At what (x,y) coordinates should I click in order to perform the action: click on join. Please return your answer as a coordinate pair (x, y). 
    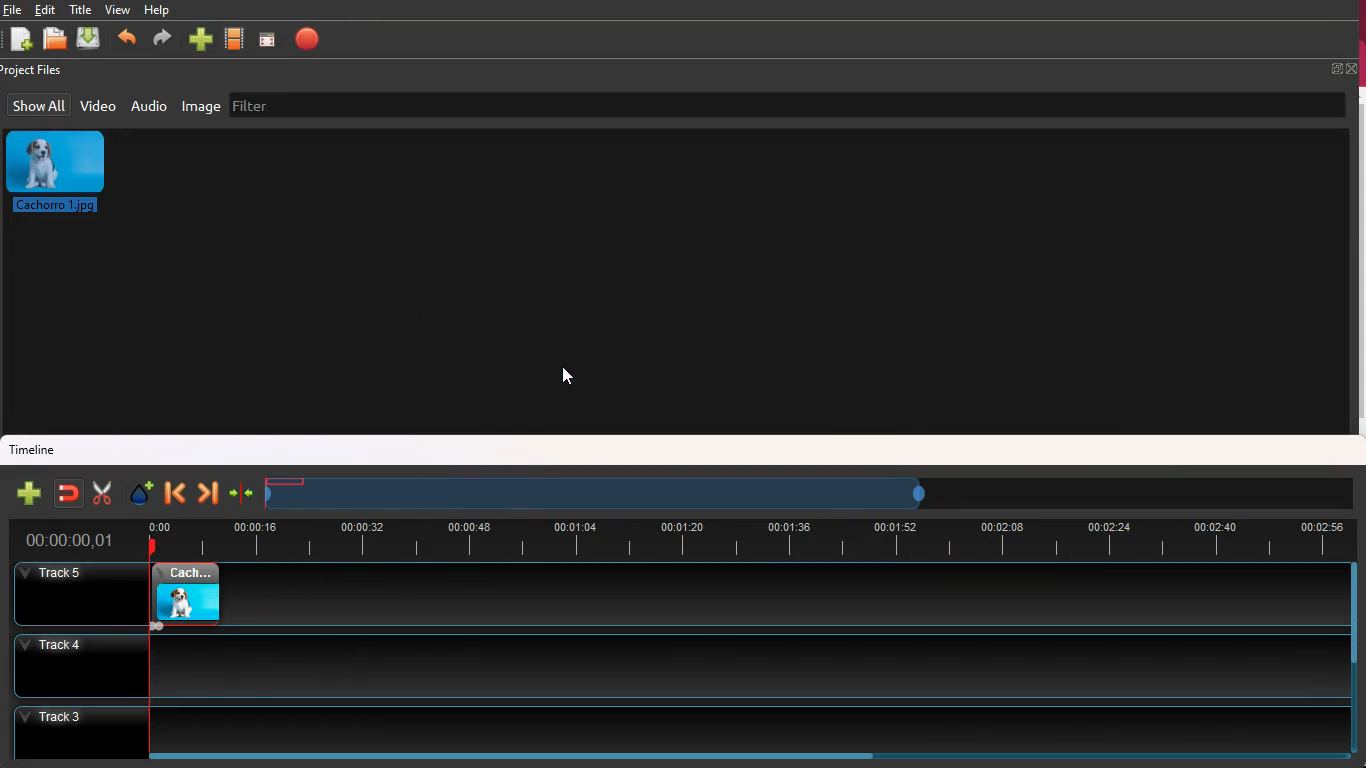
    Looking at the image, I should click on (70, 493).